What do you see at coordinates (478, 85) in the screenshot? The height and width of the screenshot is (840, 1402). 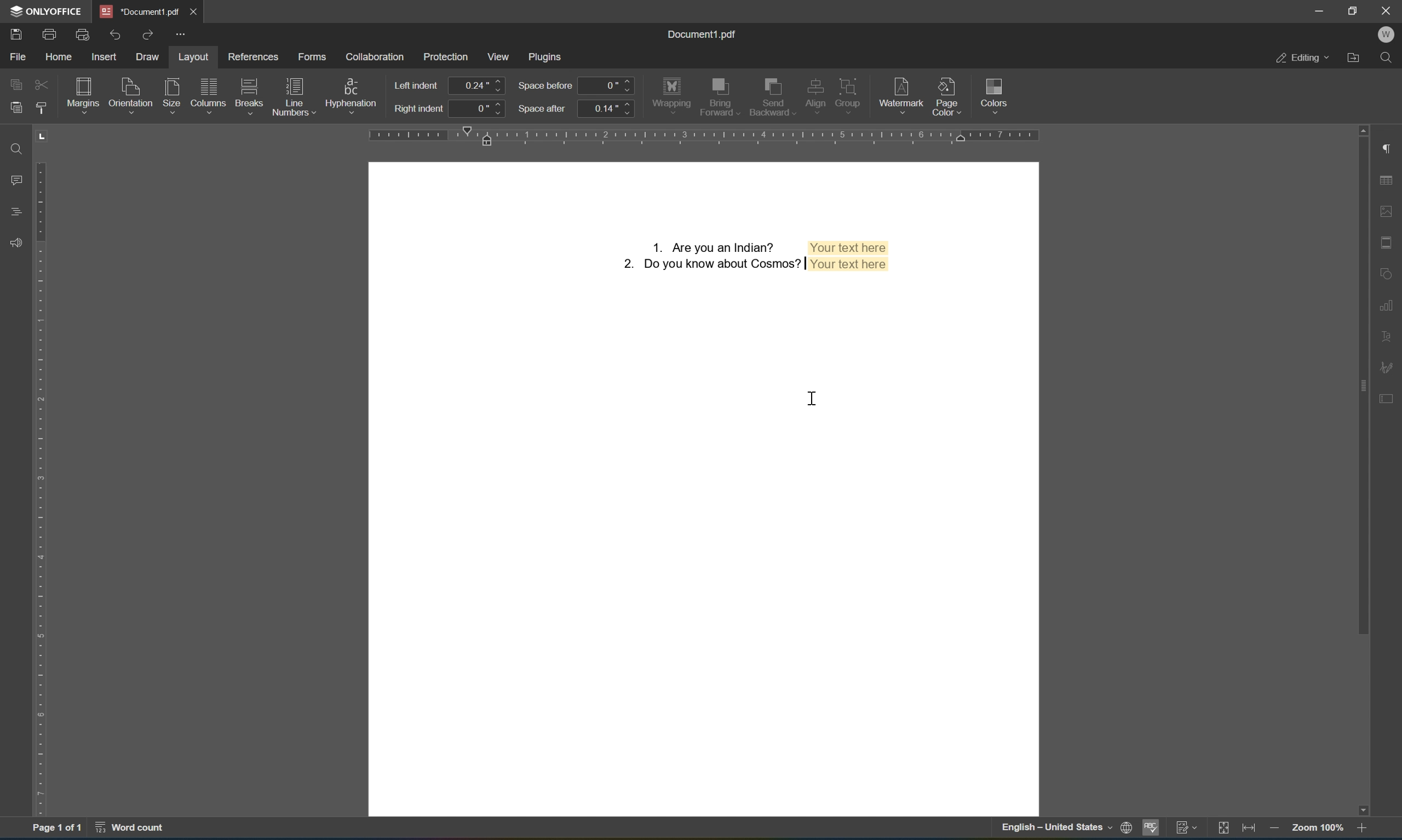 I see `0.24` at bounding box center [478, 85].